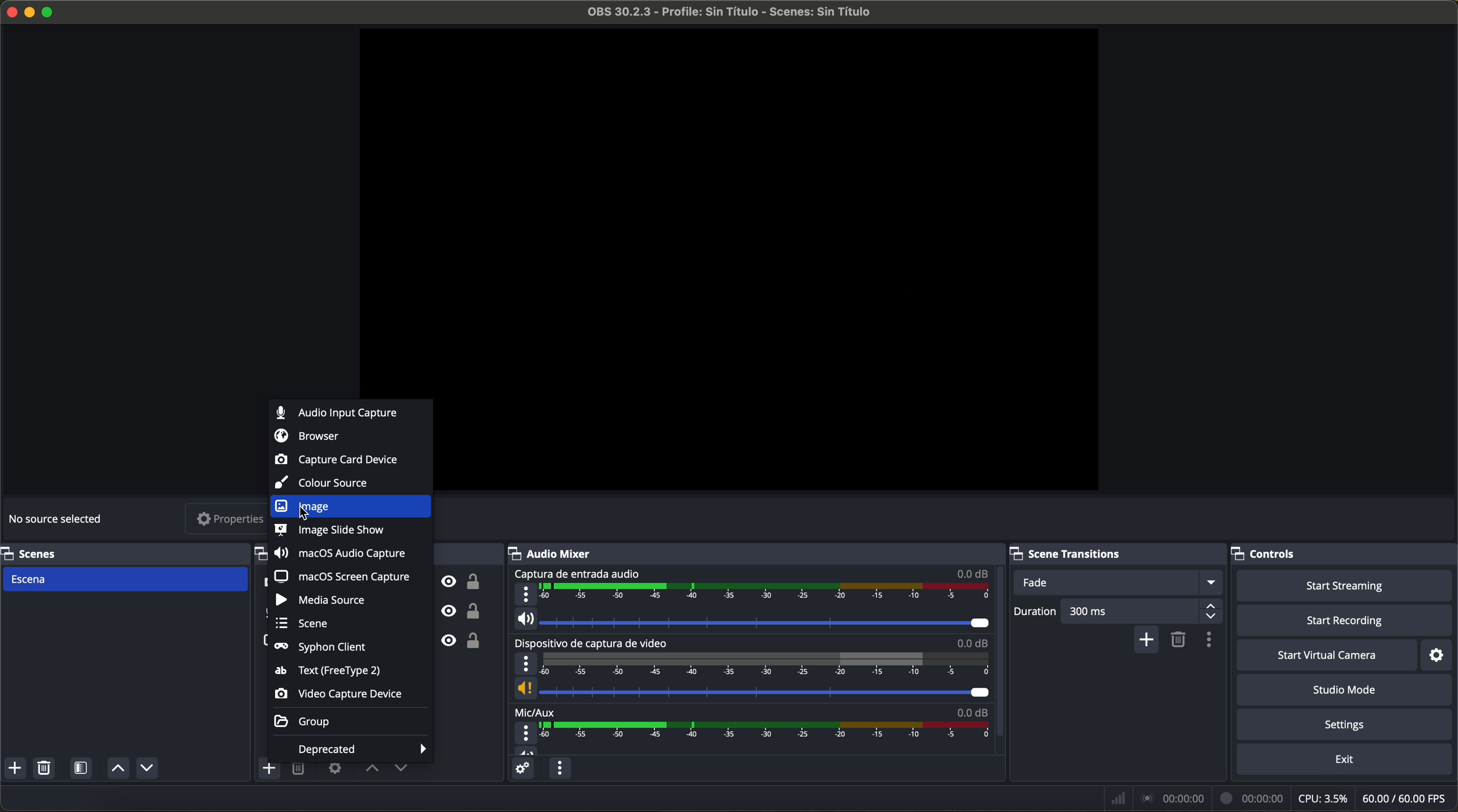 The width and height of the screenshot is (1458, 812). What do you see at coordinates (358, 749) in the screenshot?
I see `deprecated` at bounding box center [358, 749].